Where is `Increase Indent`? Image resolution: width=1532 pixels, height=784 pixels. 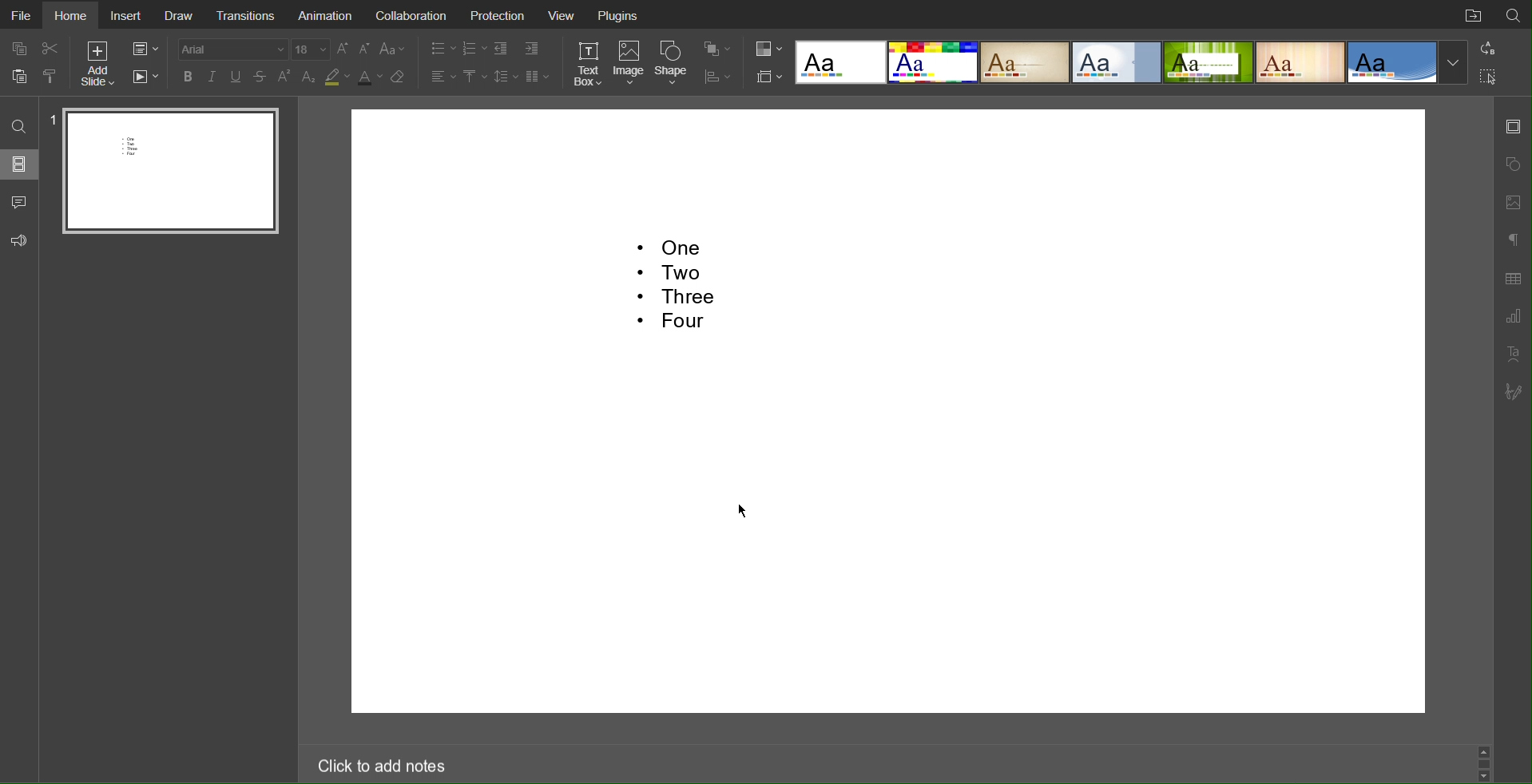 Increase Indent is located at coordinates (529, 49).